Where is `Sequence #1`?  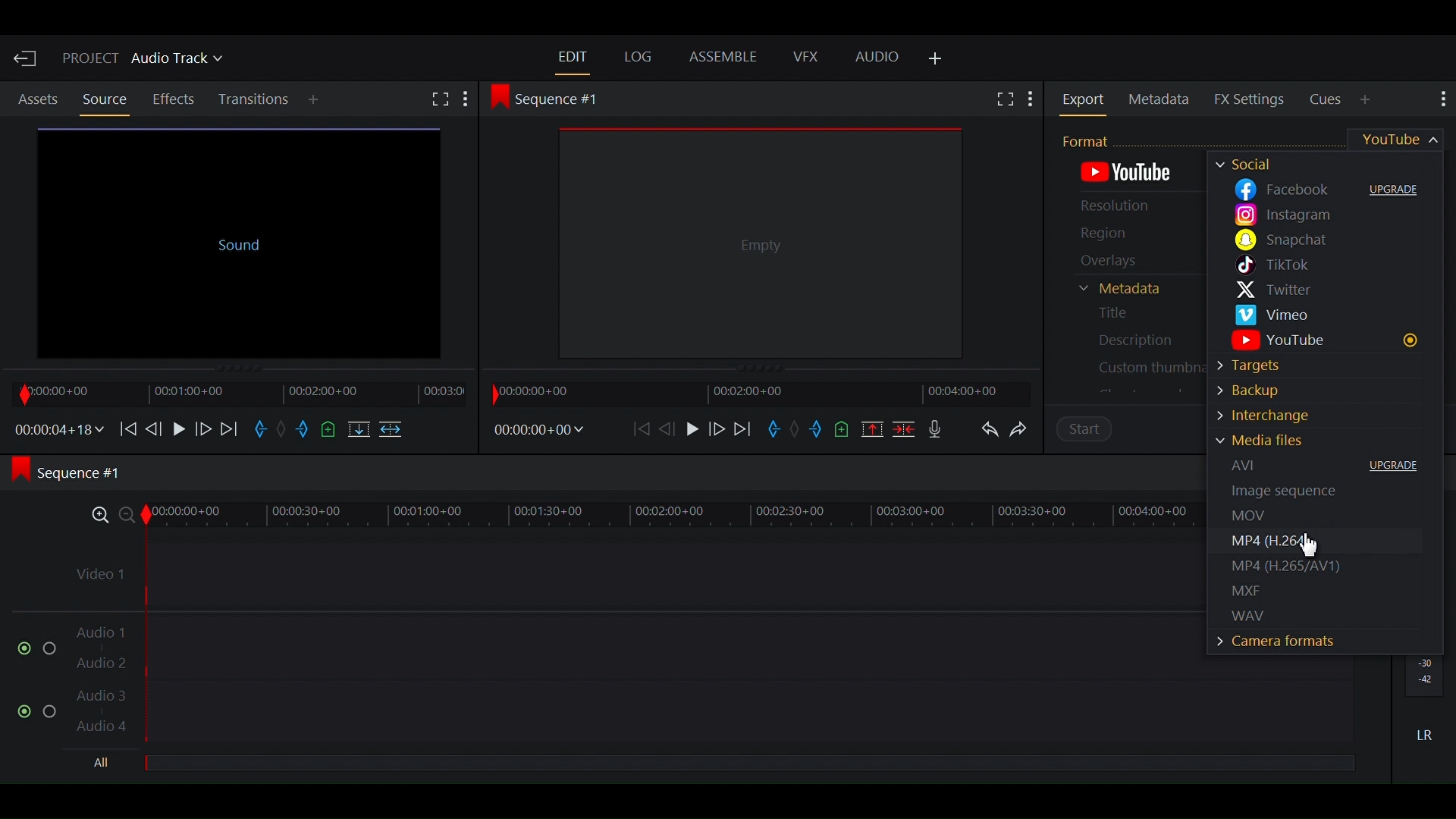
Sequence #1 is located at coordinates (77, 474).